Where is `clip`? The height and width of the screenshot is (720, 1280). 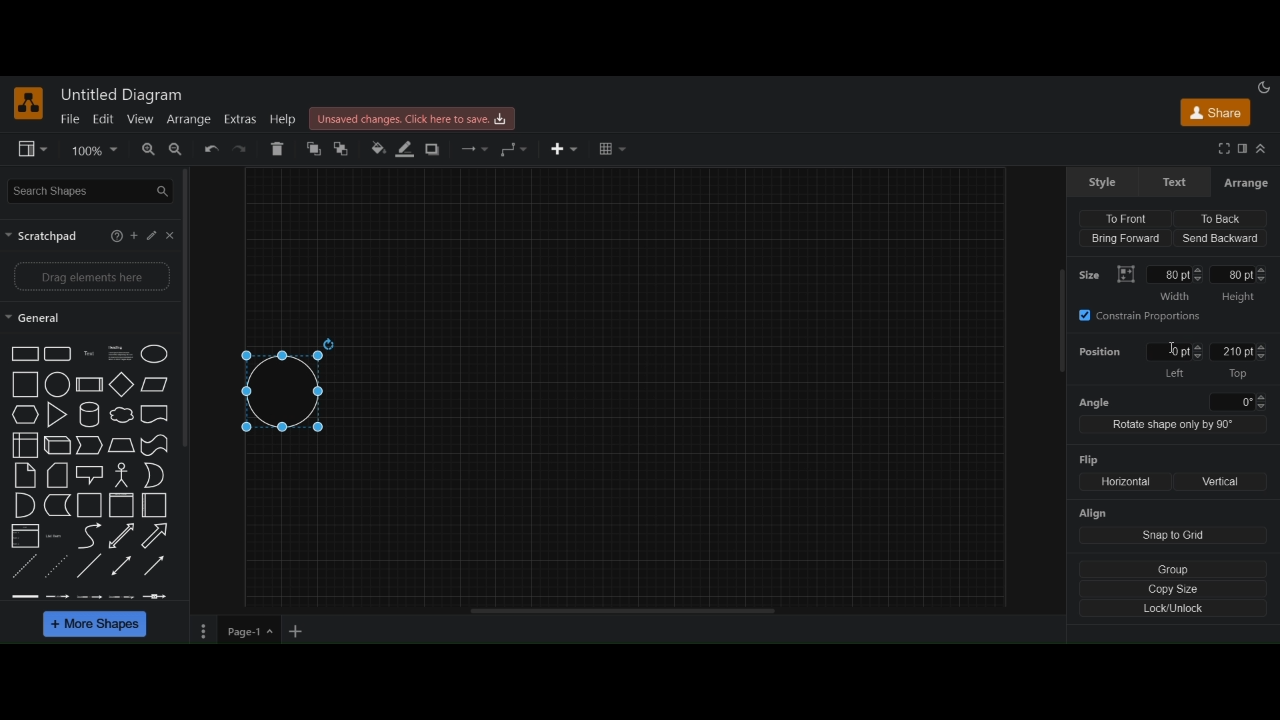 clip is located at coordinates (25, 535).